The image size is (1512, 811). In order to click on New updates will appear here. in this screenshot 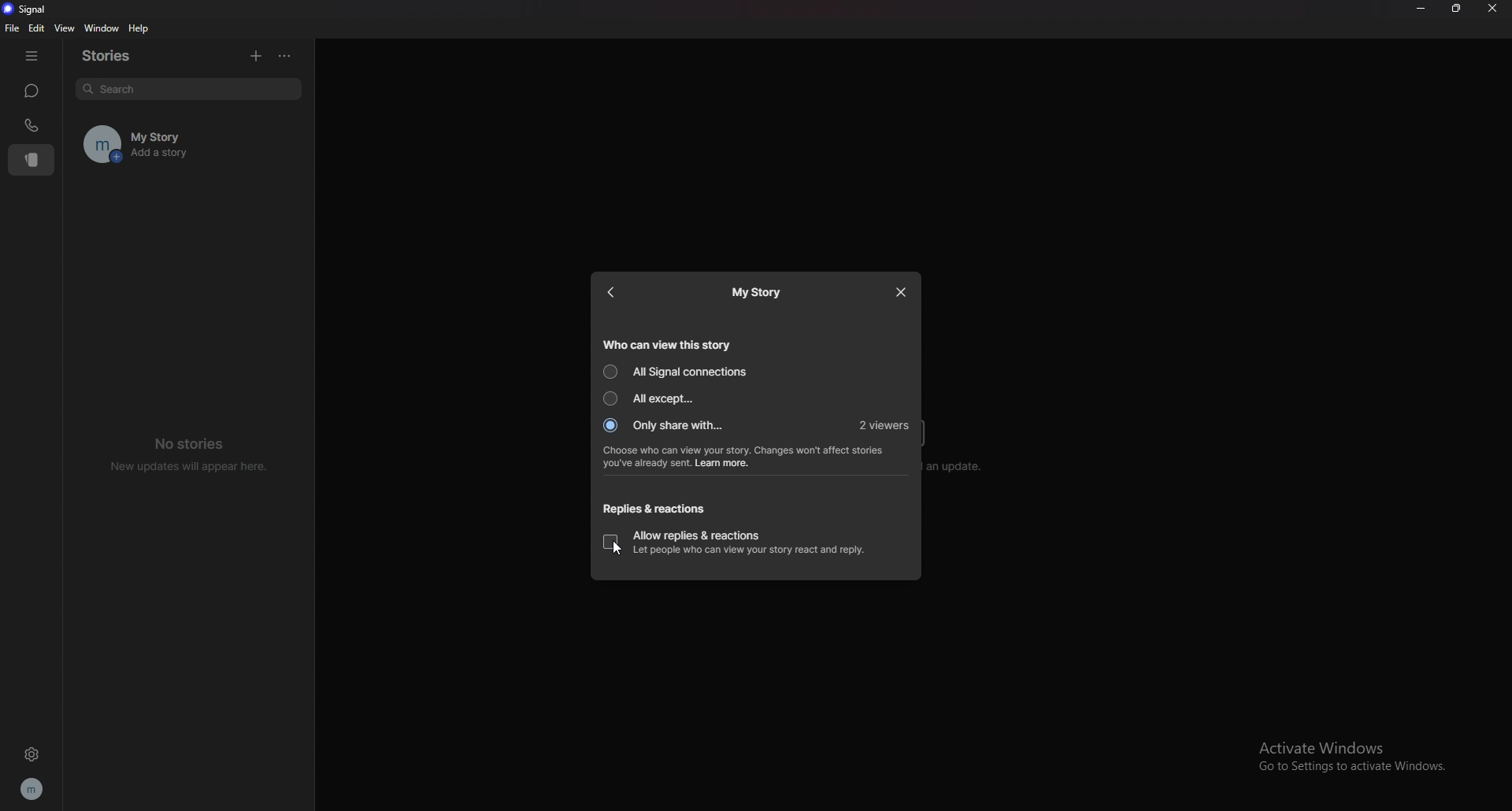, I will do `click(191, 467)`.